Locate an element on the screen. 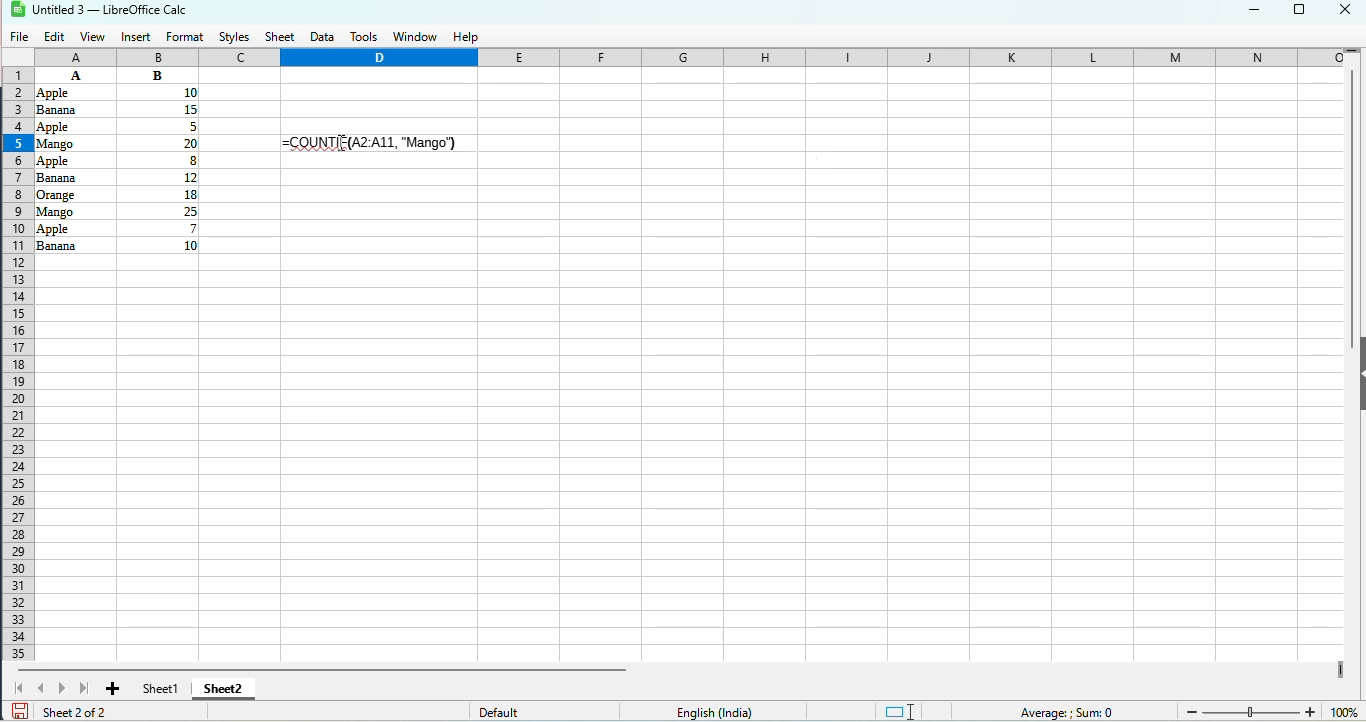  window is located at coordinates (416, 37).